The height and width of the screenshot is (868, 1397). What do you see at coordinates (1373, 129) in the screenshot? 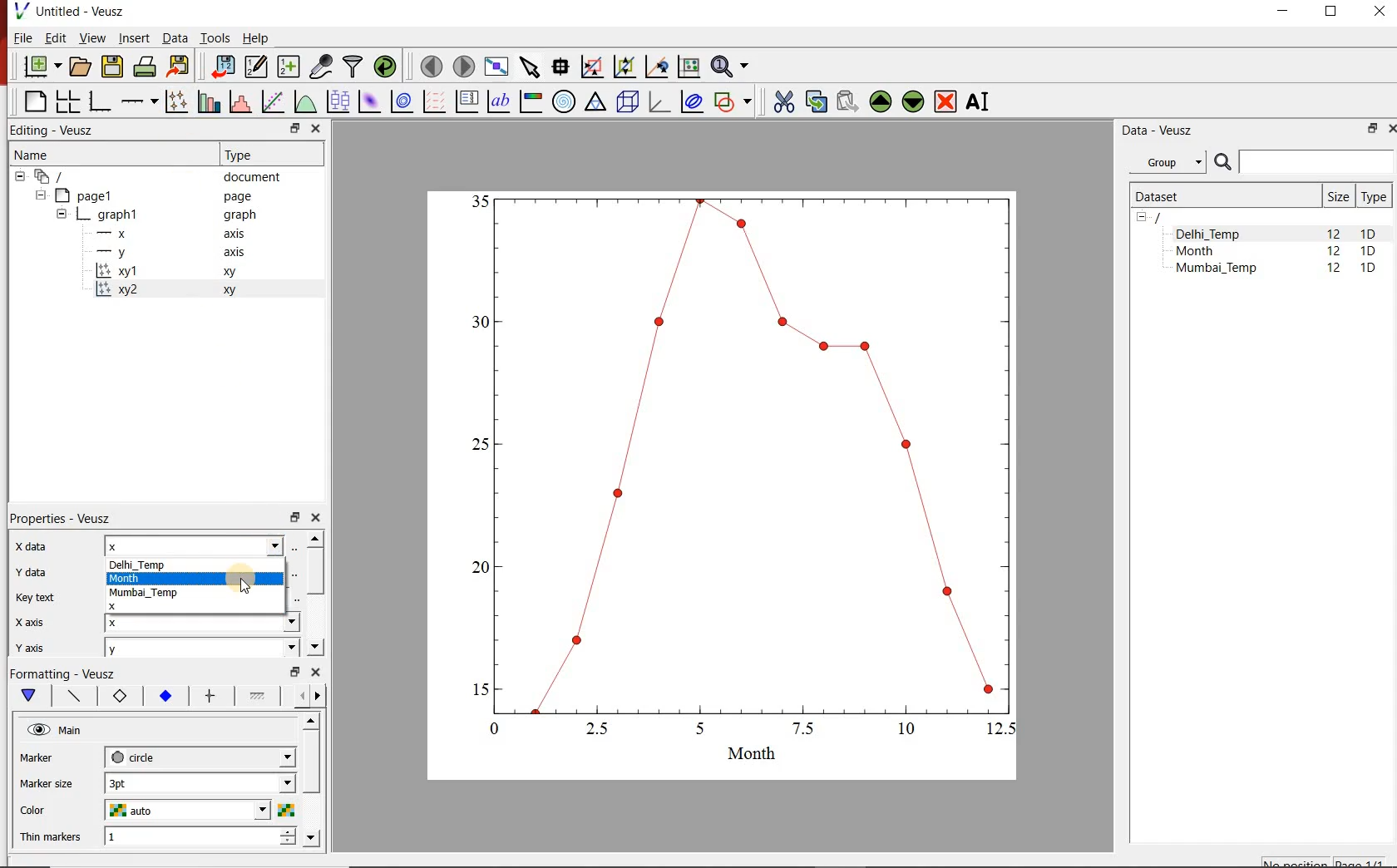
I see `RESTORE` at bounding box center [1373, 129].